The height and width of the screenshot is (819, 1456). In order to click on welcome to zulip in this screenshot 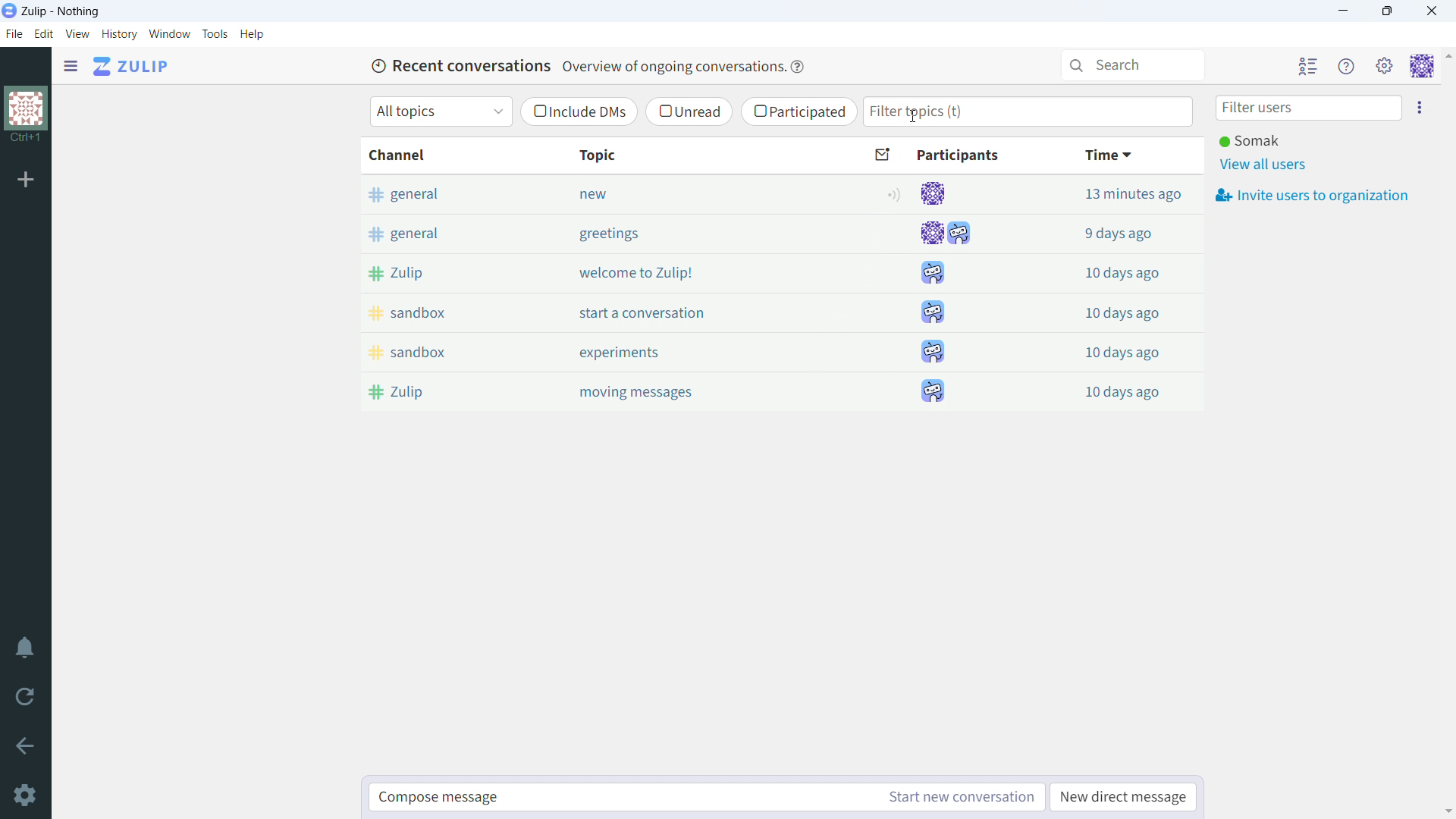, I will do `click(695, 272)`.